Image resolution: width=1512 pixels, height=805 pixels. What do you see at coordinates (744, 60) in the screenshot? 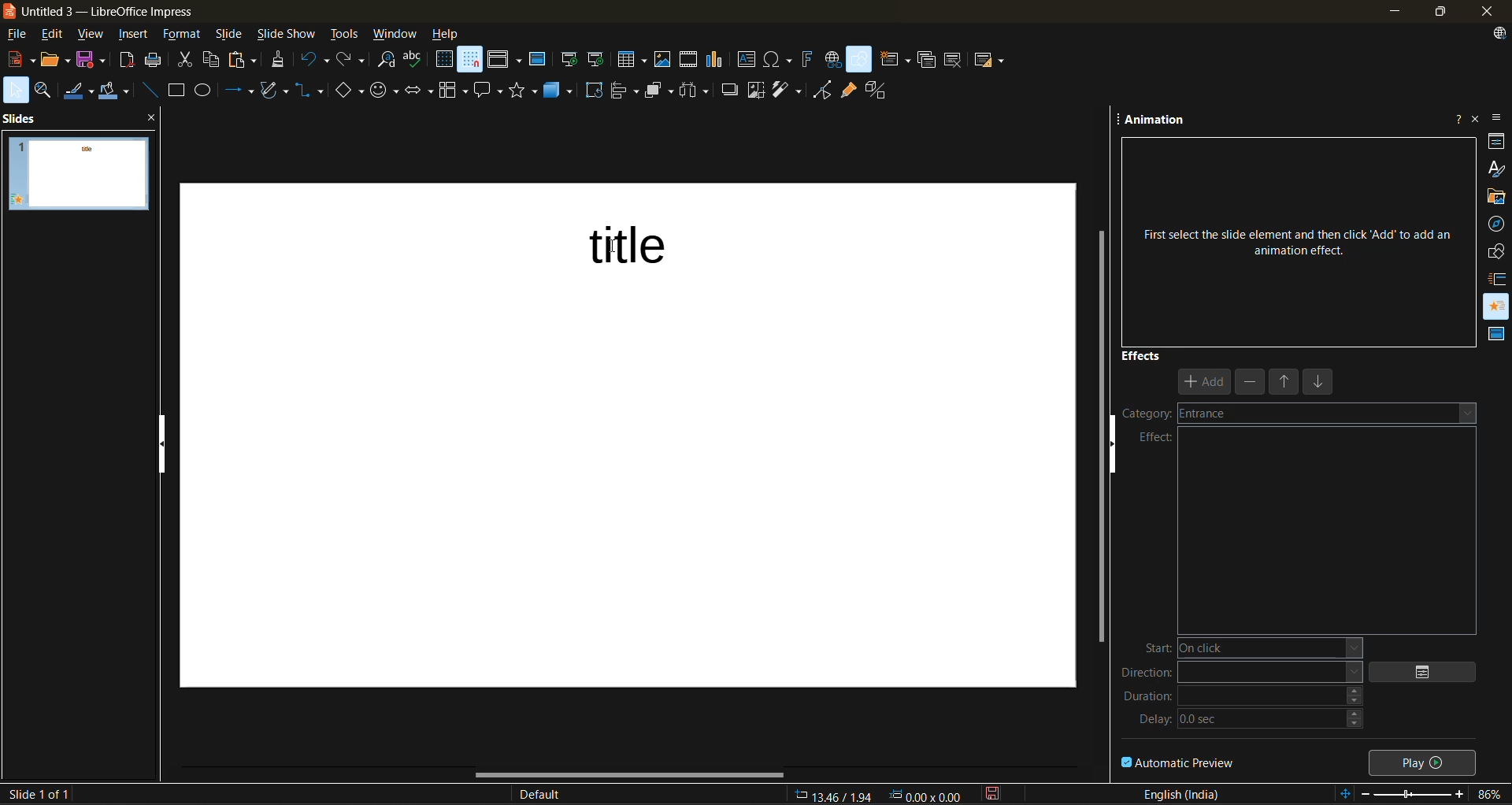
I see `insert text box` at bounding box center [744, 60].